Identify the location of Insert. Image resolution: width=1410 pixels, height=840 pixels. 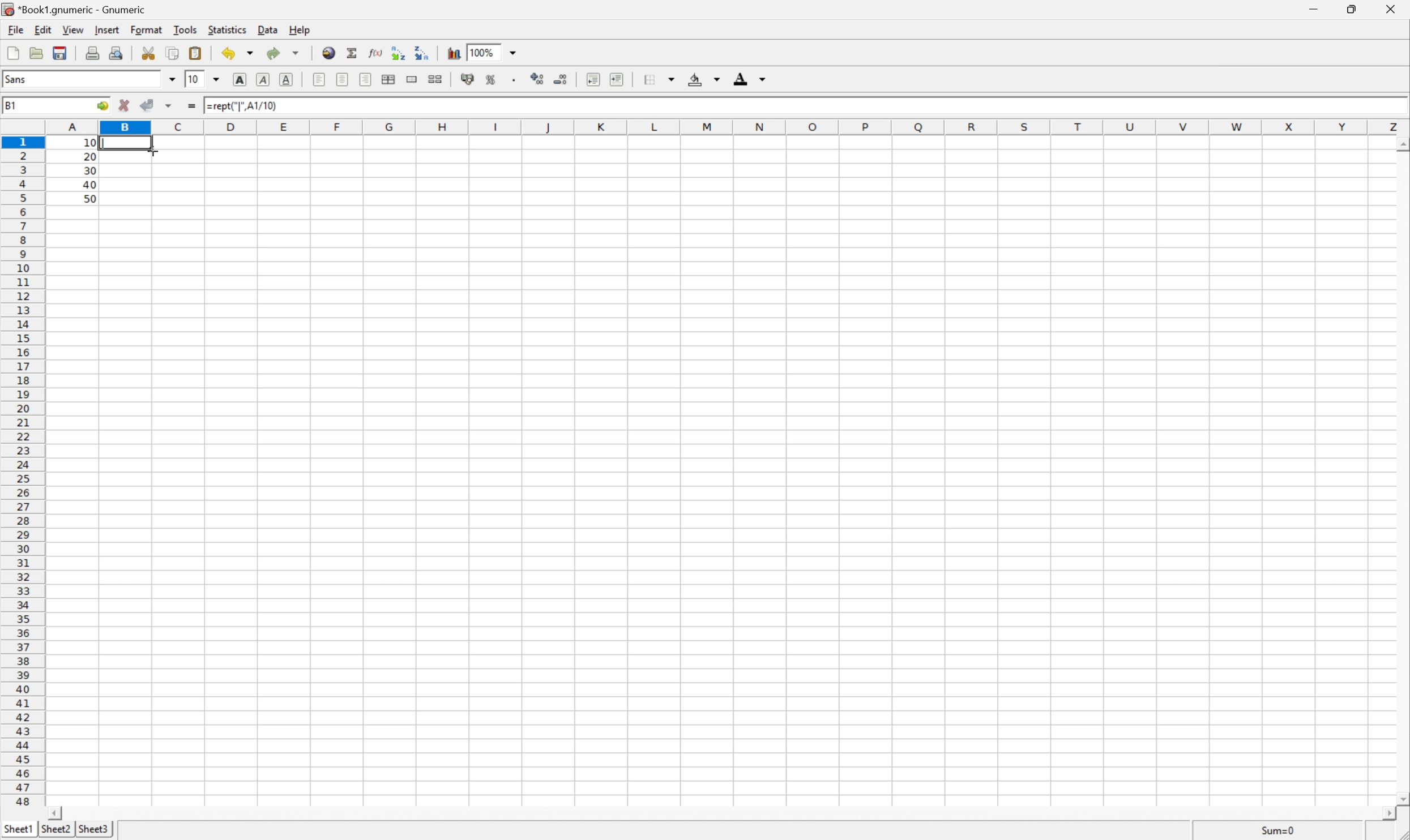
(106, 29).